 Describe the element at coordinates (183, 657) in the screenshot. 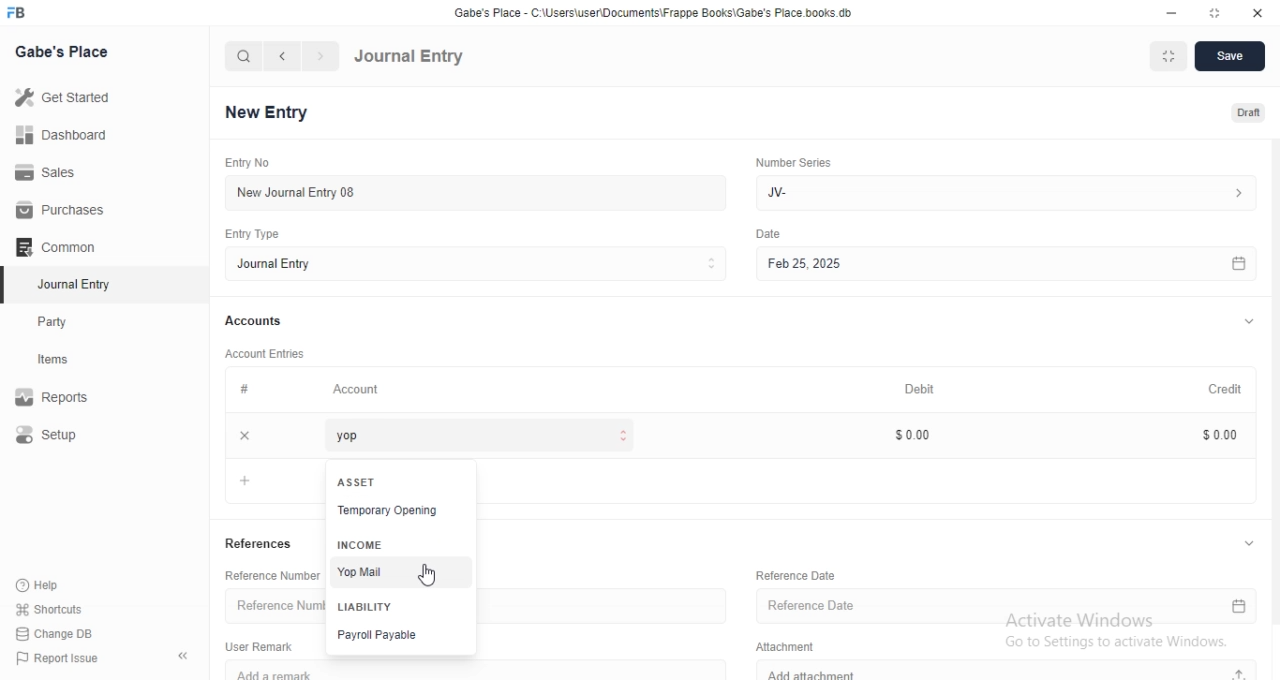

I see `collapse sidebar` at that location.